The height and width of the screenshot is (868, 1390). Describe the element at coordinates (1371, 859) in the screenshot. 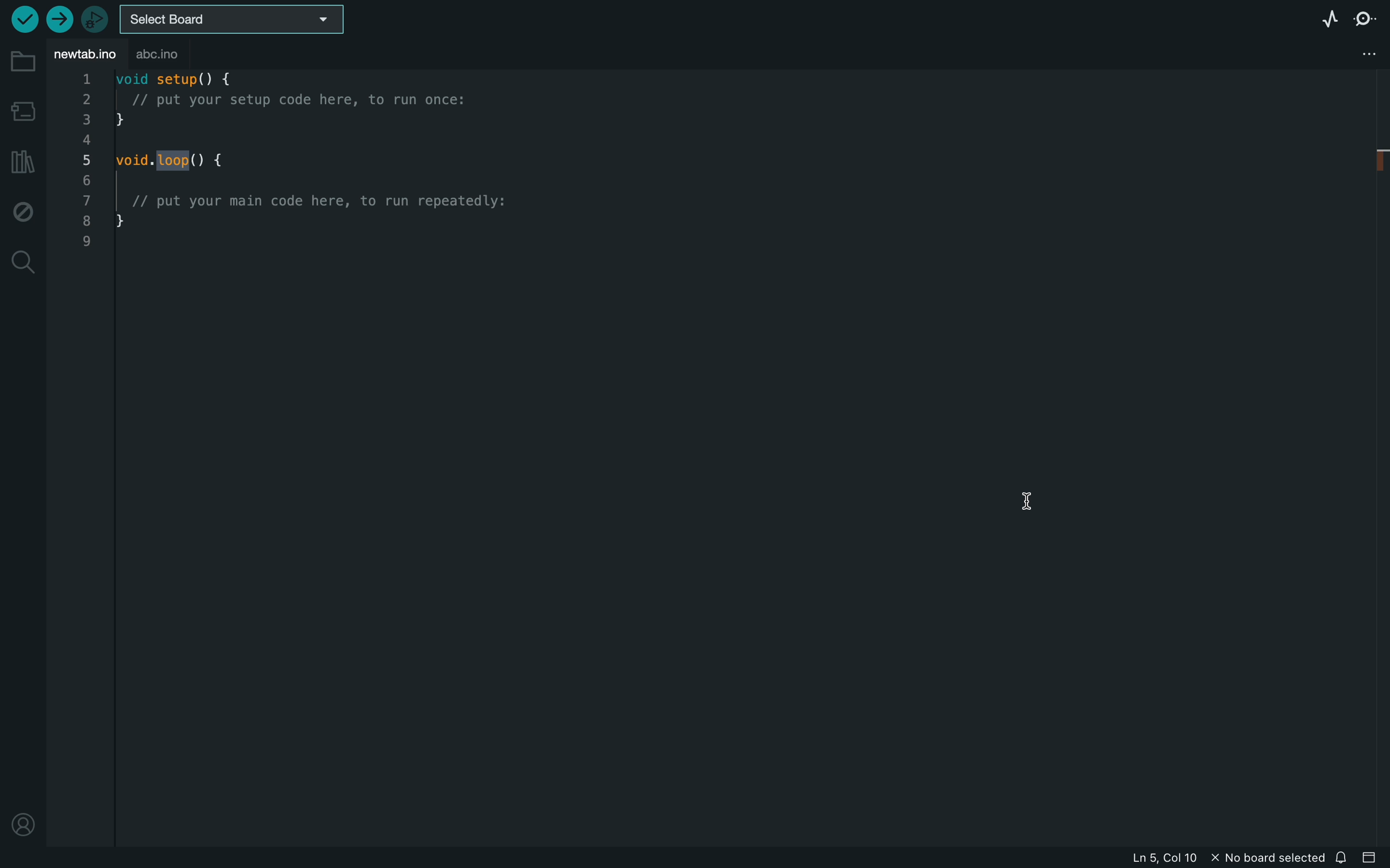

I see `close slide bar` at that location.